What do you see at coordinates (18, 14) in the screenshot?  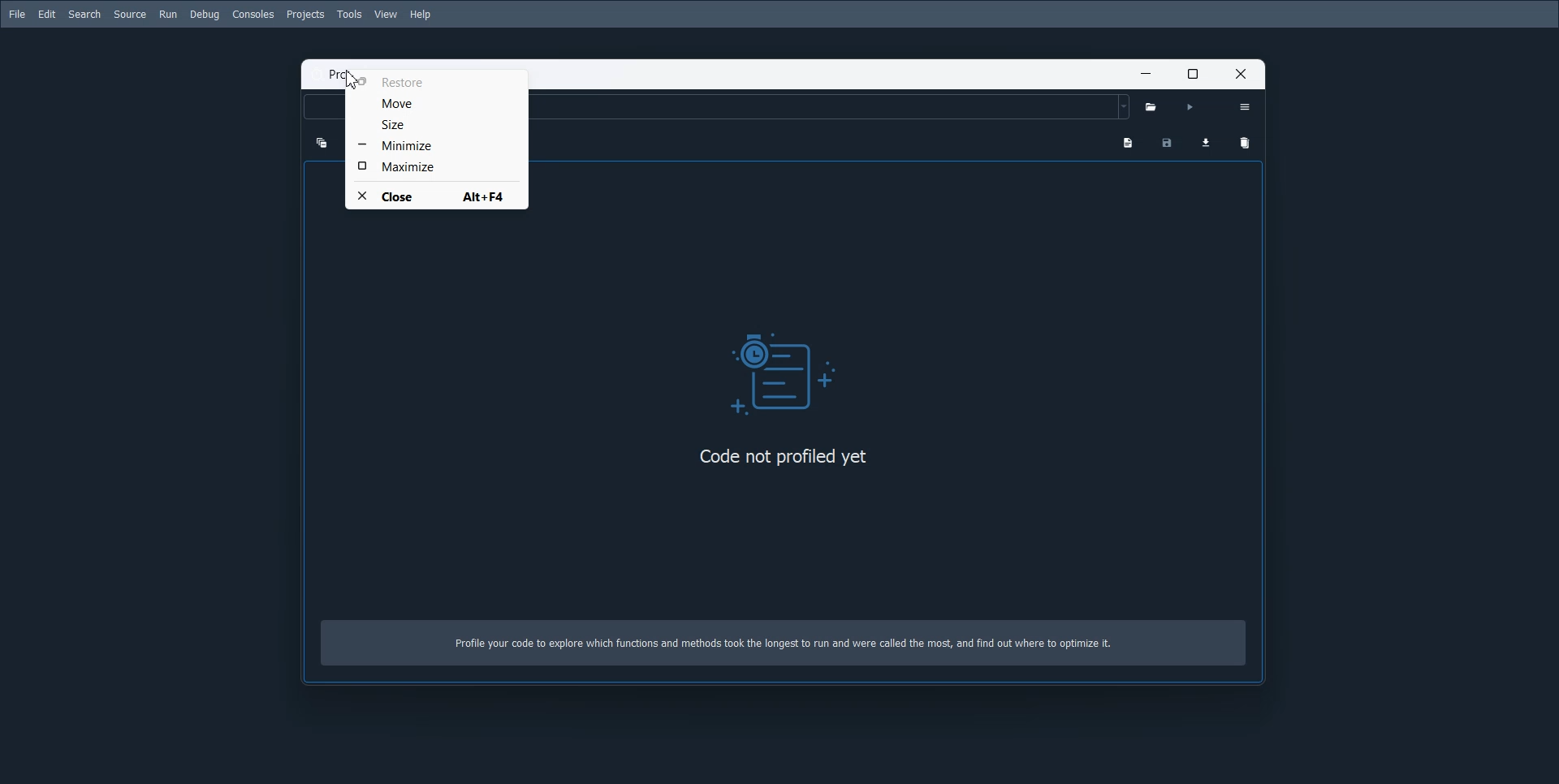 I see `File` at bounding box center [18, 14].